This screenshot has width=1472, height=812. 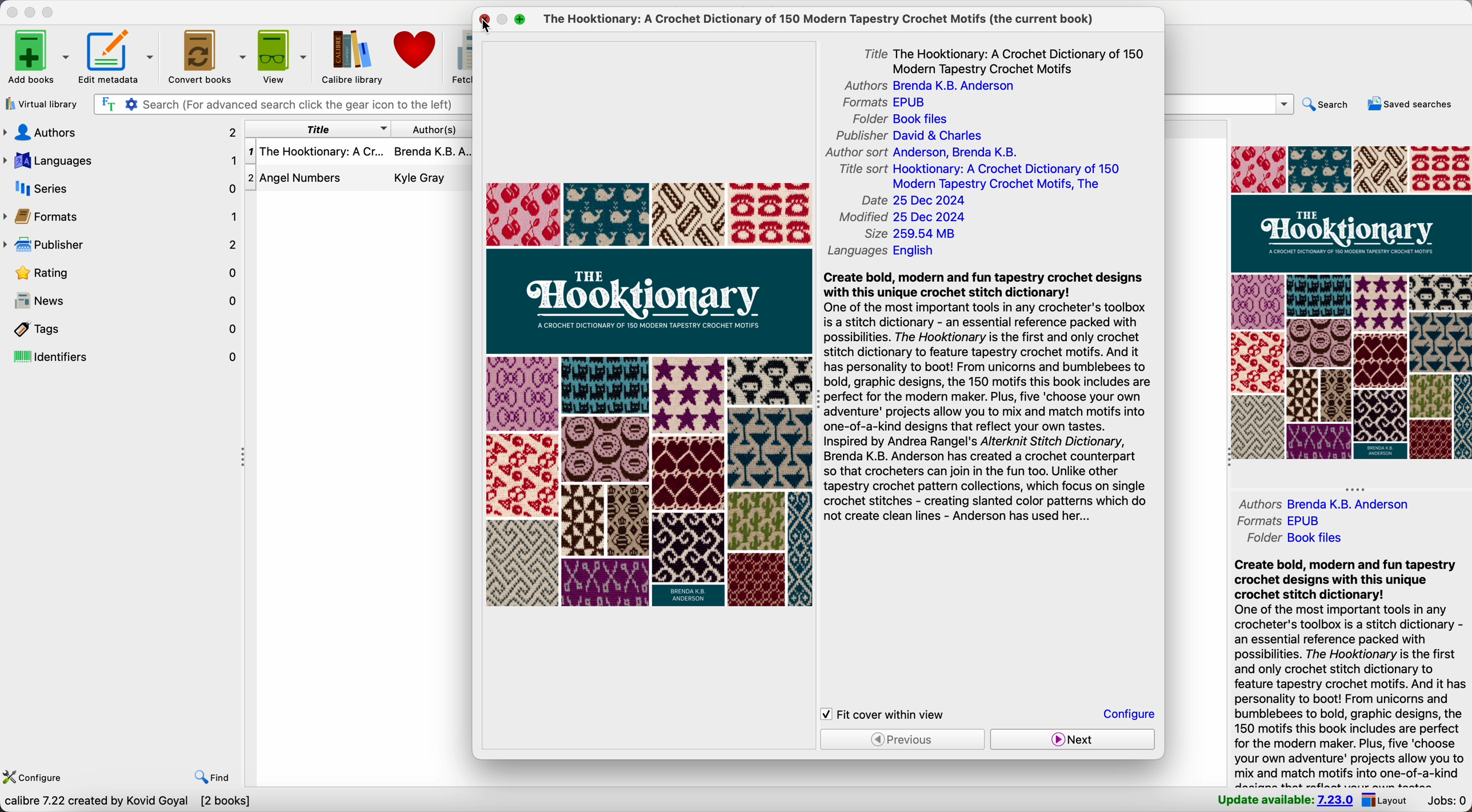 What do you see at coordinates (1445, 801) in the screenshot?
I see `jobs: 0` at bounding box center [1445, 801].